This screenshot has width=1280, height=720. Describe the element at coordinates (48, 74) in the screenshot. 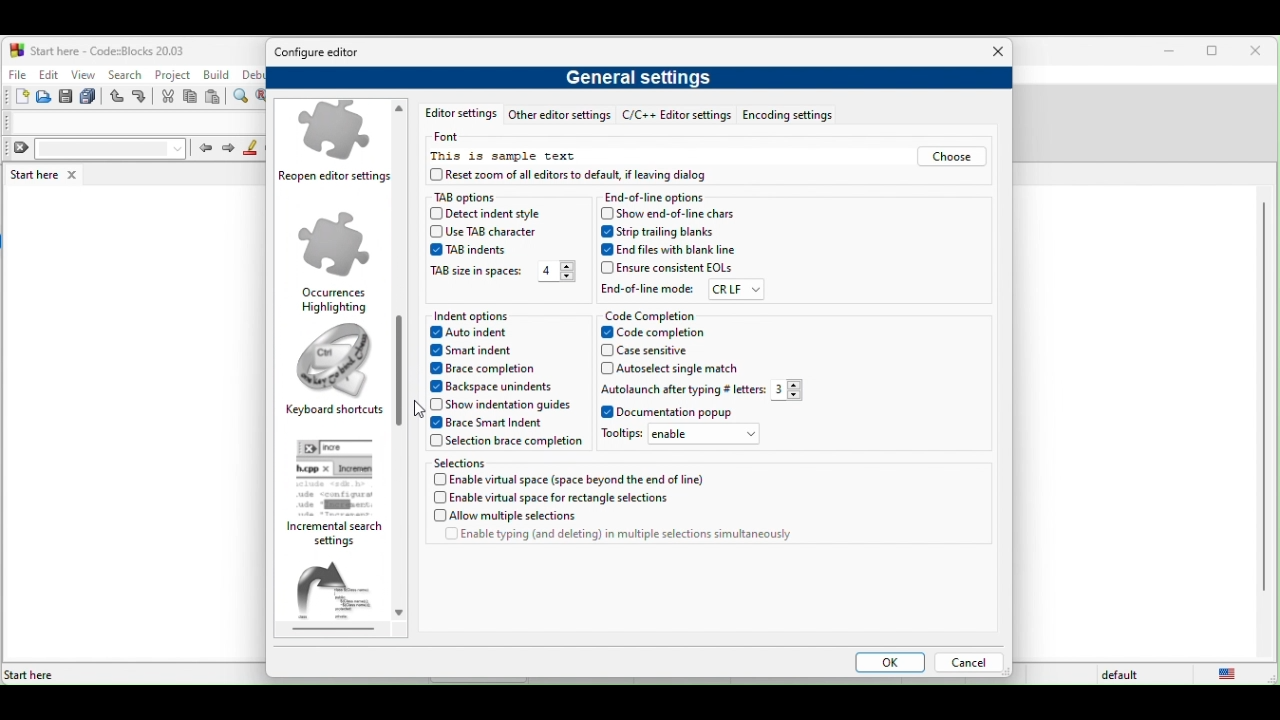

I see `edit` at that location.